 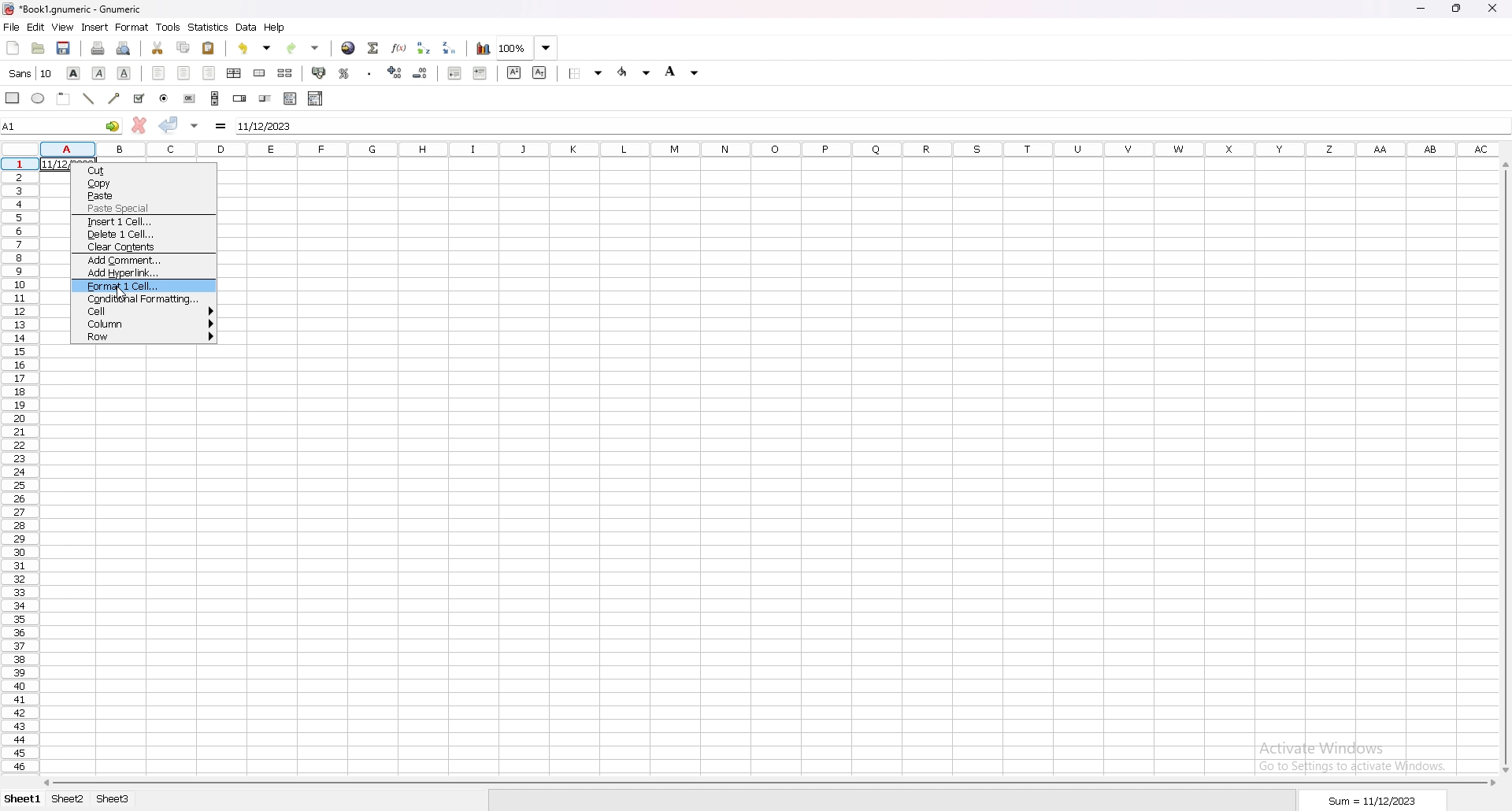 I want to click on centre horizontally, so click(x=234, y=73).